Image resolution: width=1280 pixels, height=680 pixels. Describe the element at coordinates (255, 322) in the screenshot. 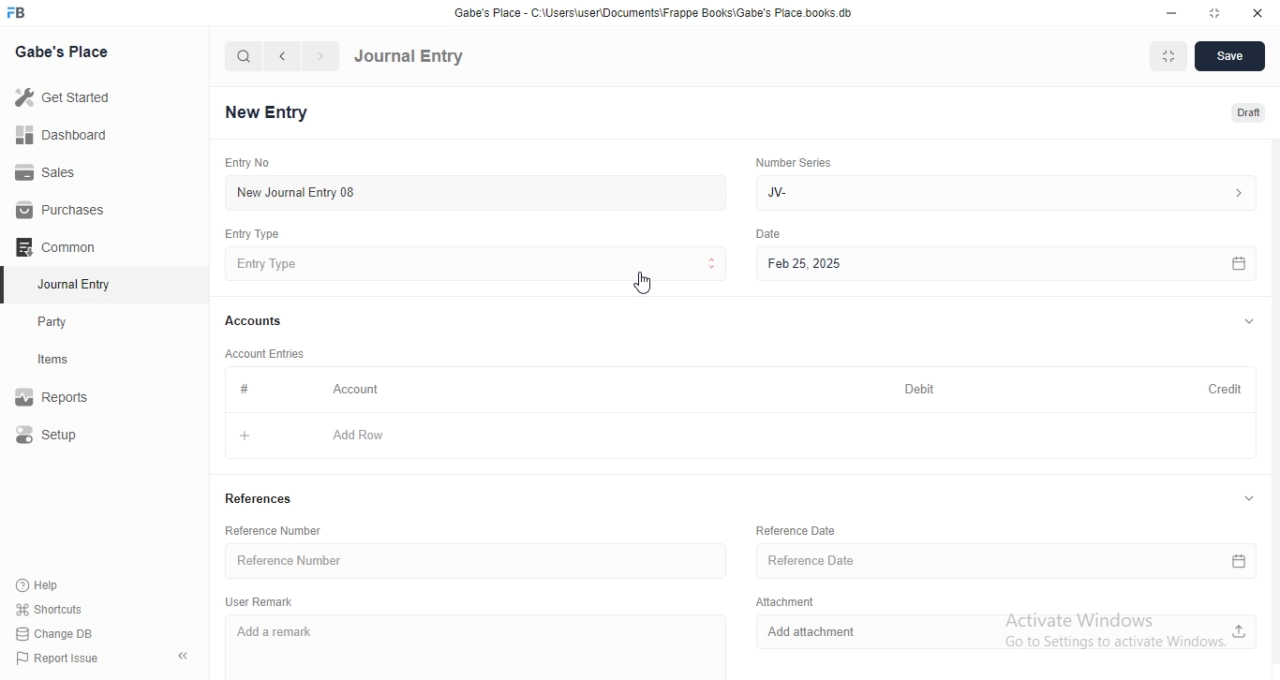

I see `Accounts` at that location.